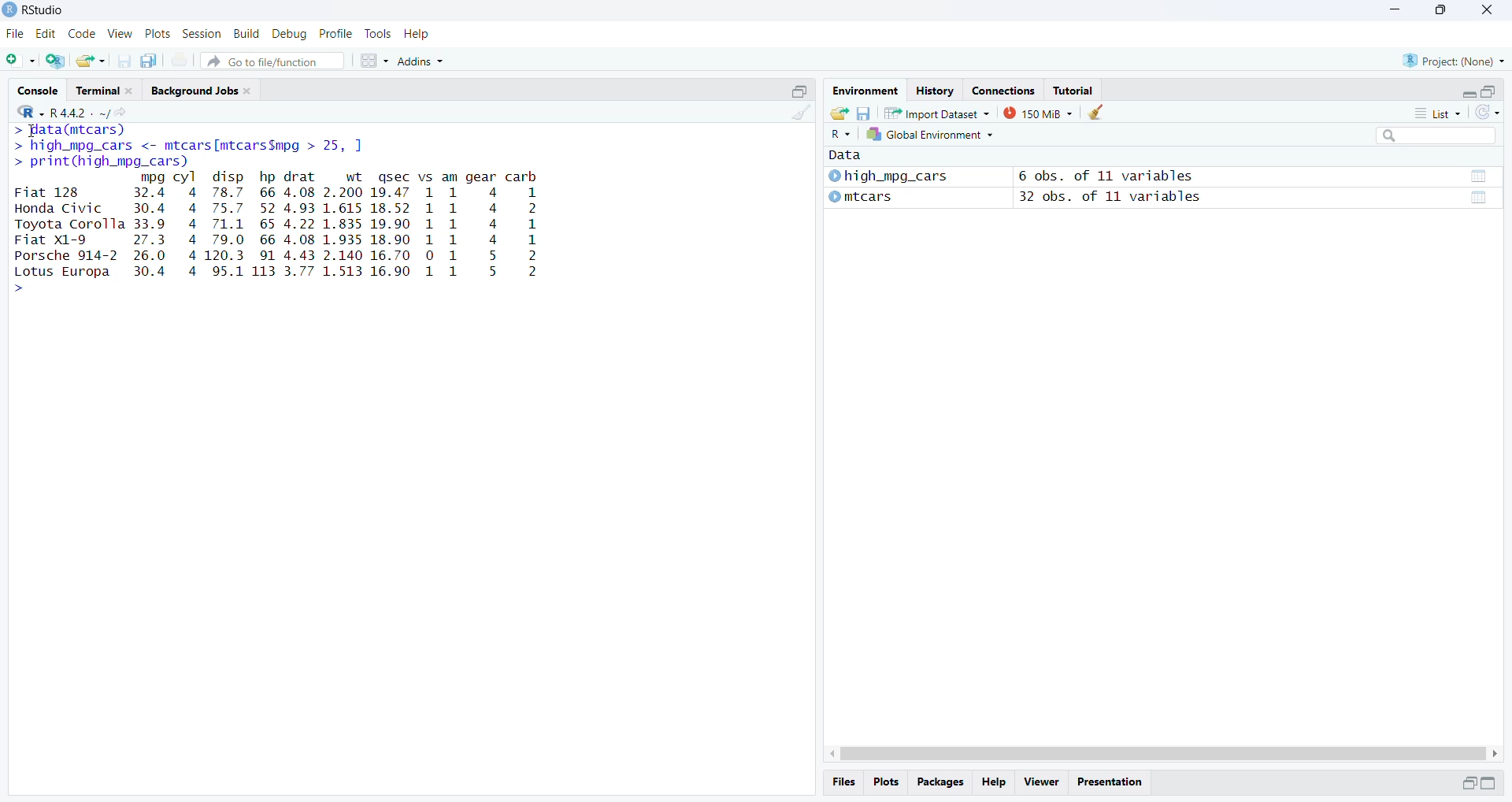  Describe the element at coordinates (1004, 89) in the screenshot. I see `Connections` at that location.